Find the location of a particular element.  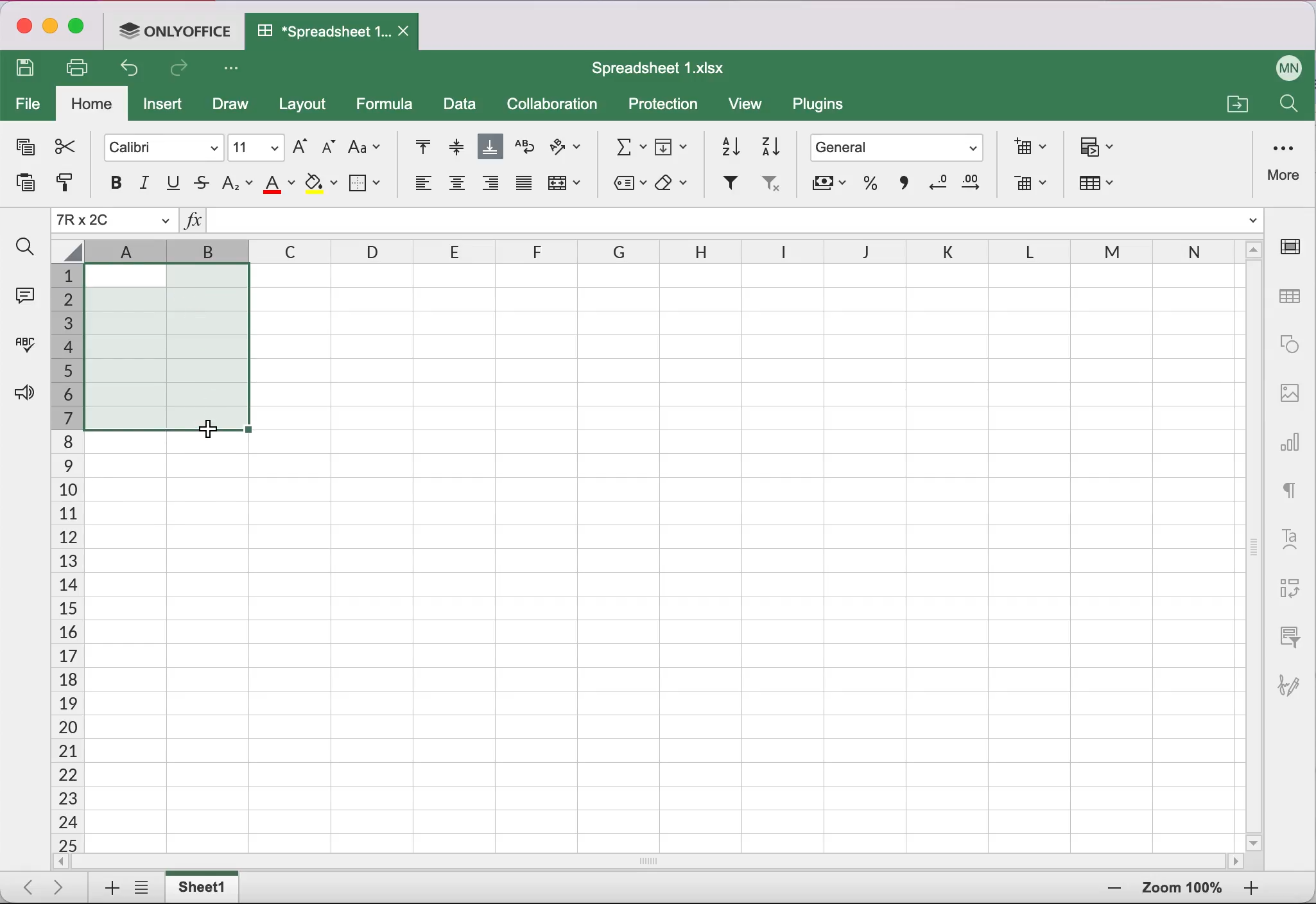

orientation is located at coordinates (566, 149).